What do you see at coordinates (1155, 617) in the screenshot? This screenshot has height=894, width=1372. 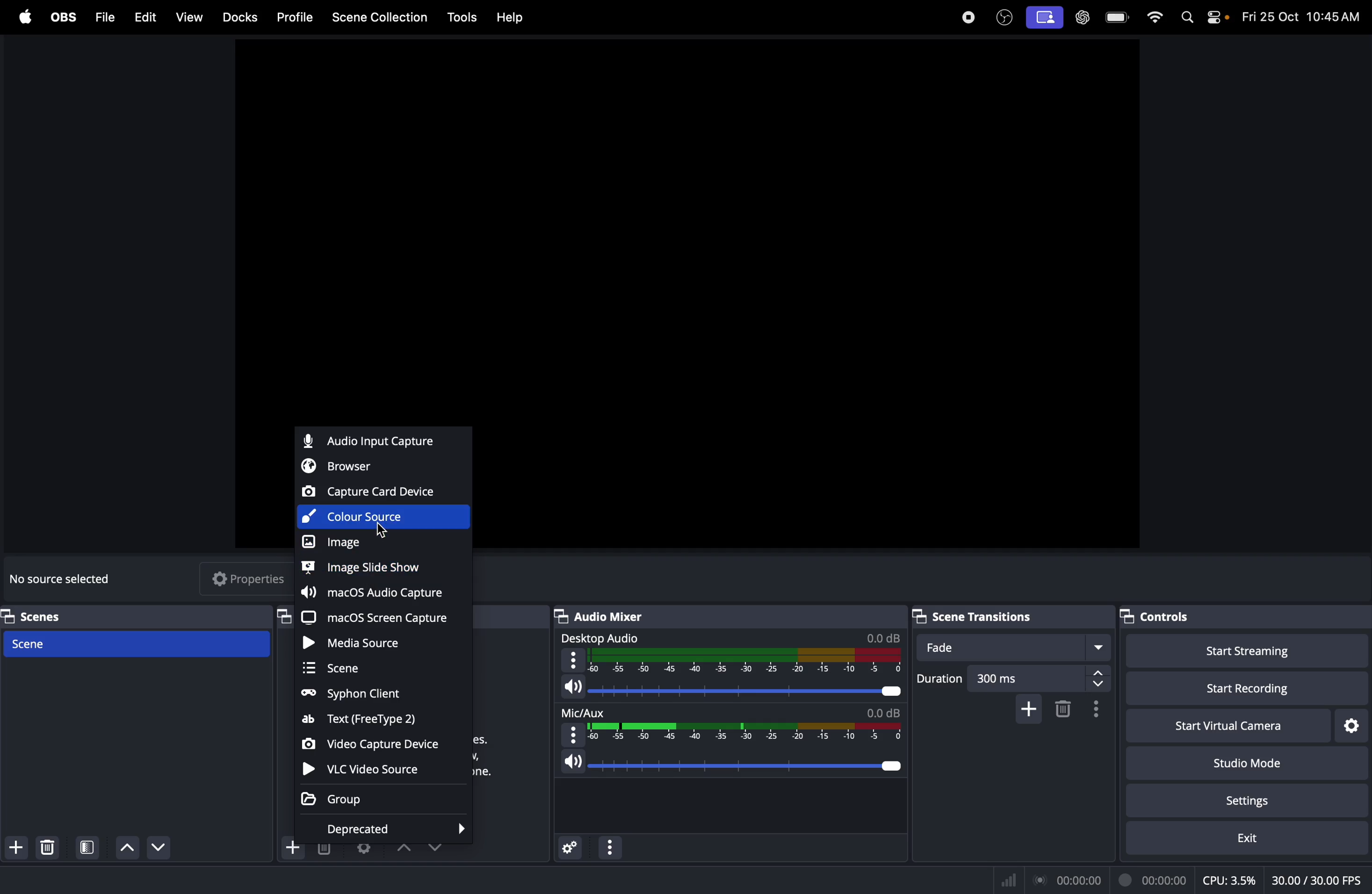 I see `controls` at bounding box center [1155, 617].